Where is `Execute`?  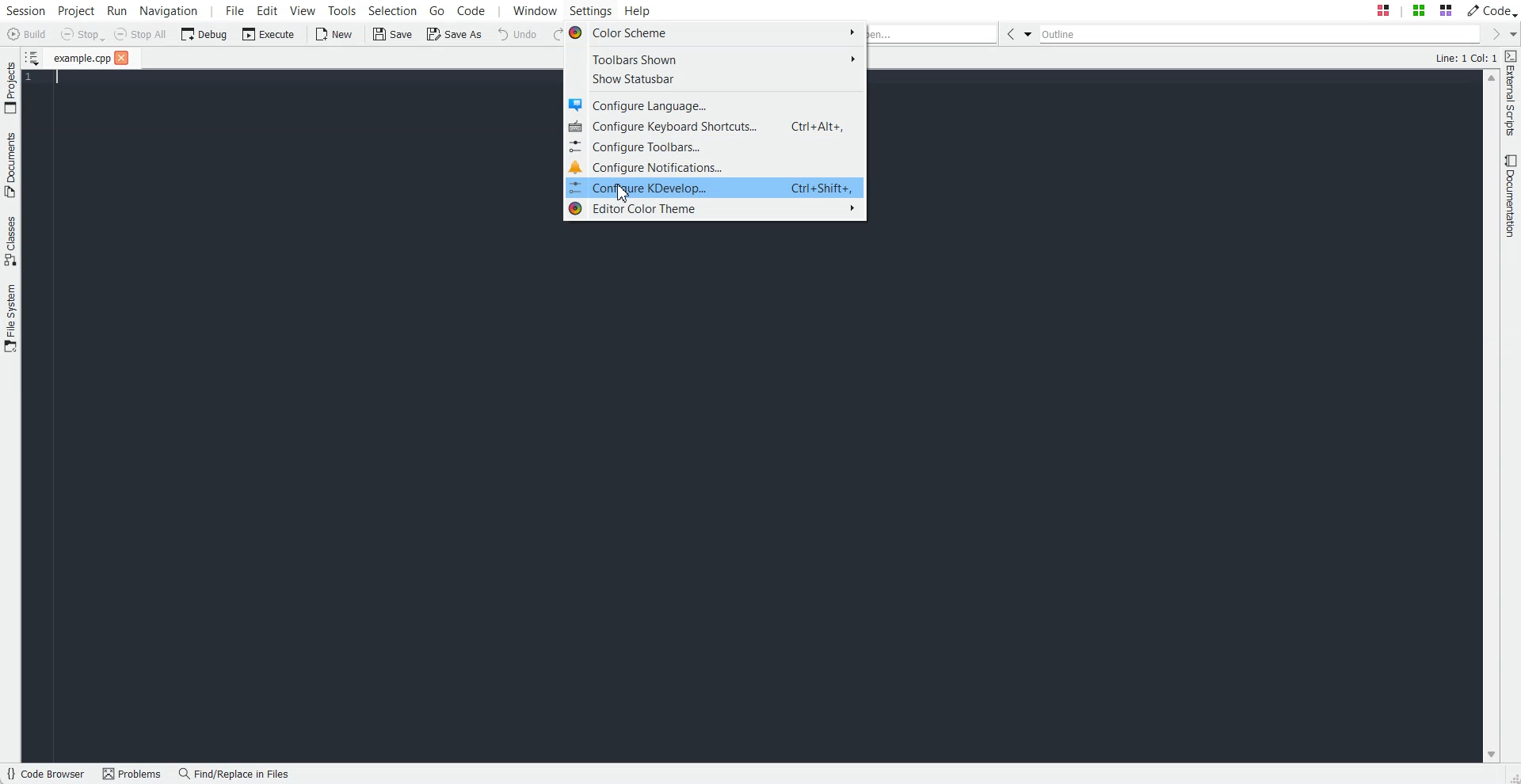 Execute is located at coordinates (269, 34).